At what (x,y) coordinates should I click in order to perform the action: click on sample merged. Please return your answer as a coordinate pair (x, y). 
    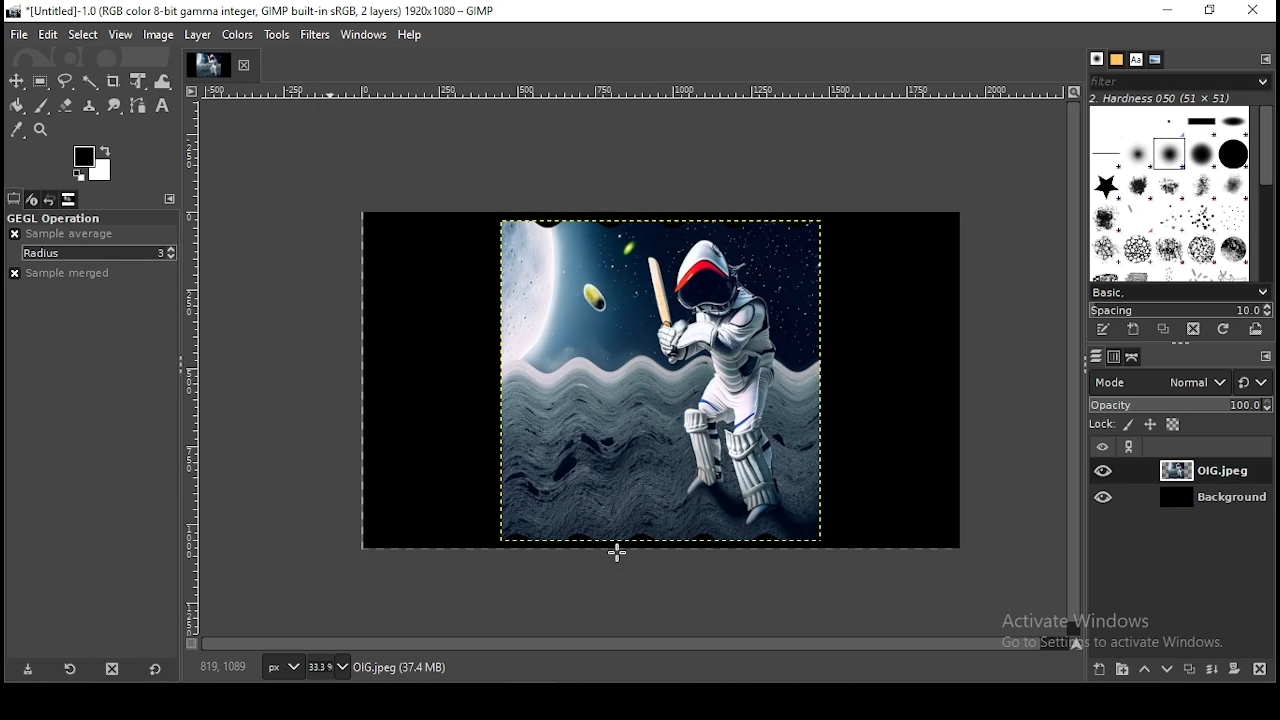
    Looking at the image, I should click on (59, 274).